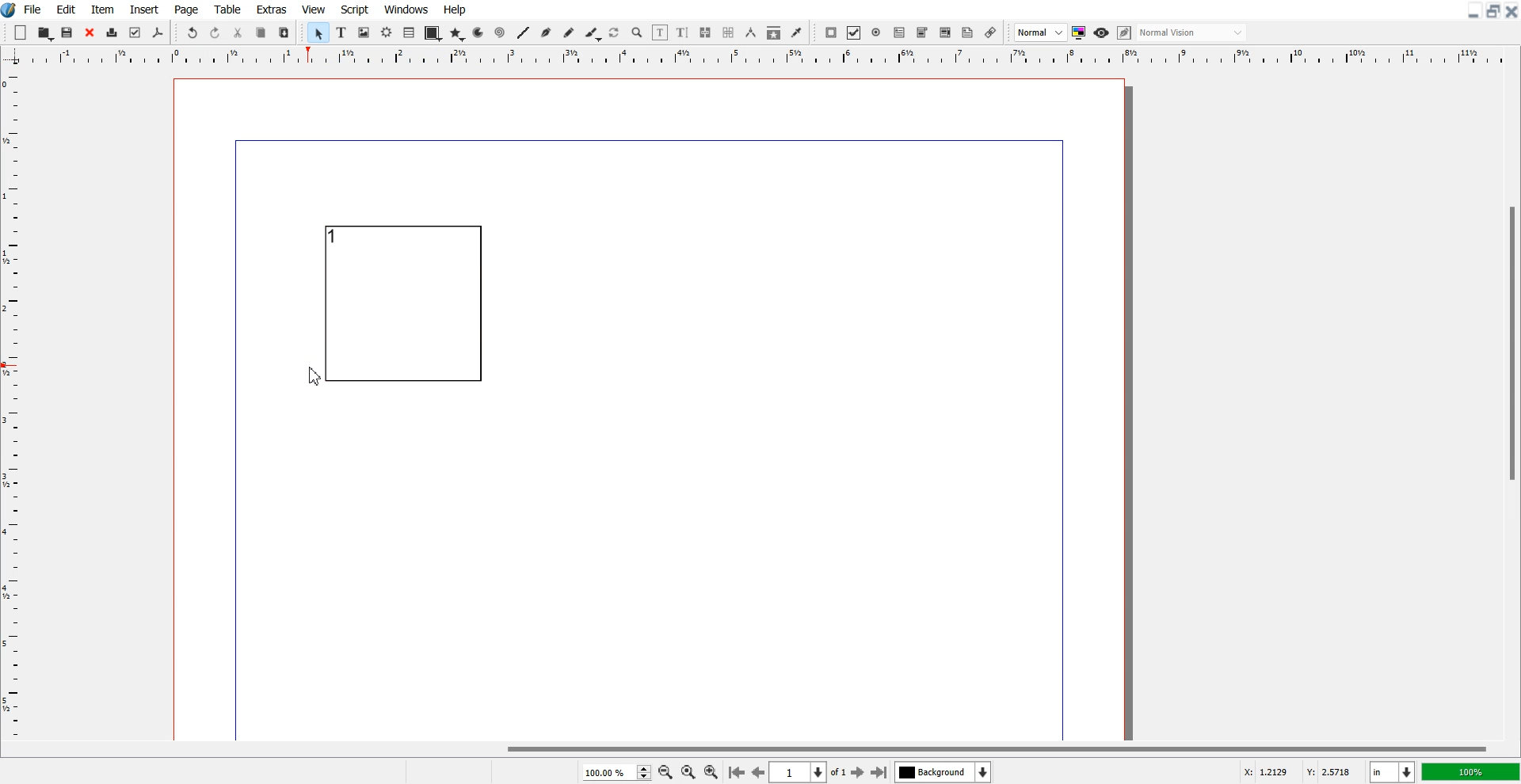 The width and height of the screenshot is (1521, 784). I want to click on 100%, so click(1472, 771).